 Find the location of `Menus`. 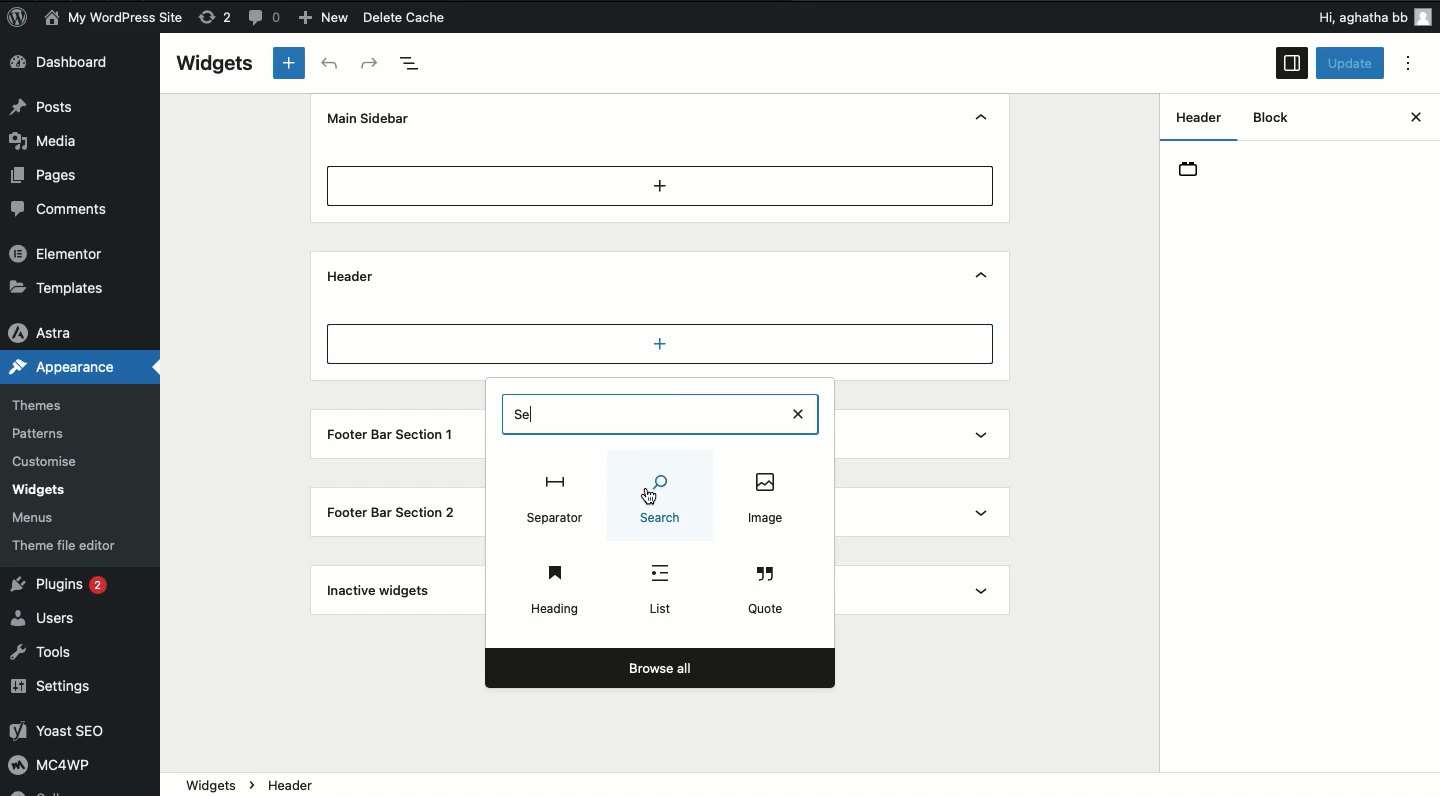

Menus is located at coordinates (44, 515).